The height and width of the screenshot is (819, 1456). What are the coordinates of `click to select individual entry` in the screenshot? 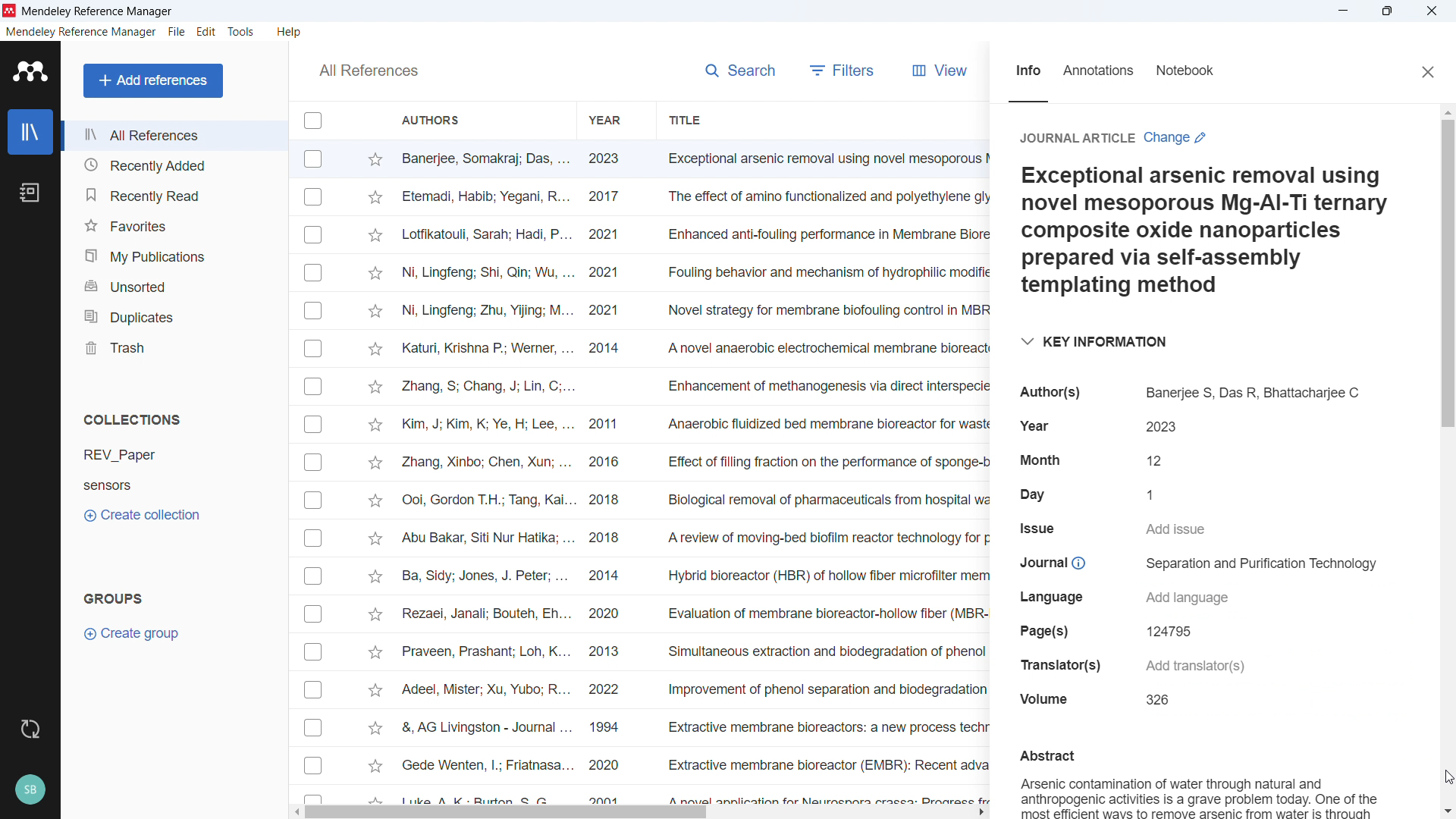 It's located at (315, 578).